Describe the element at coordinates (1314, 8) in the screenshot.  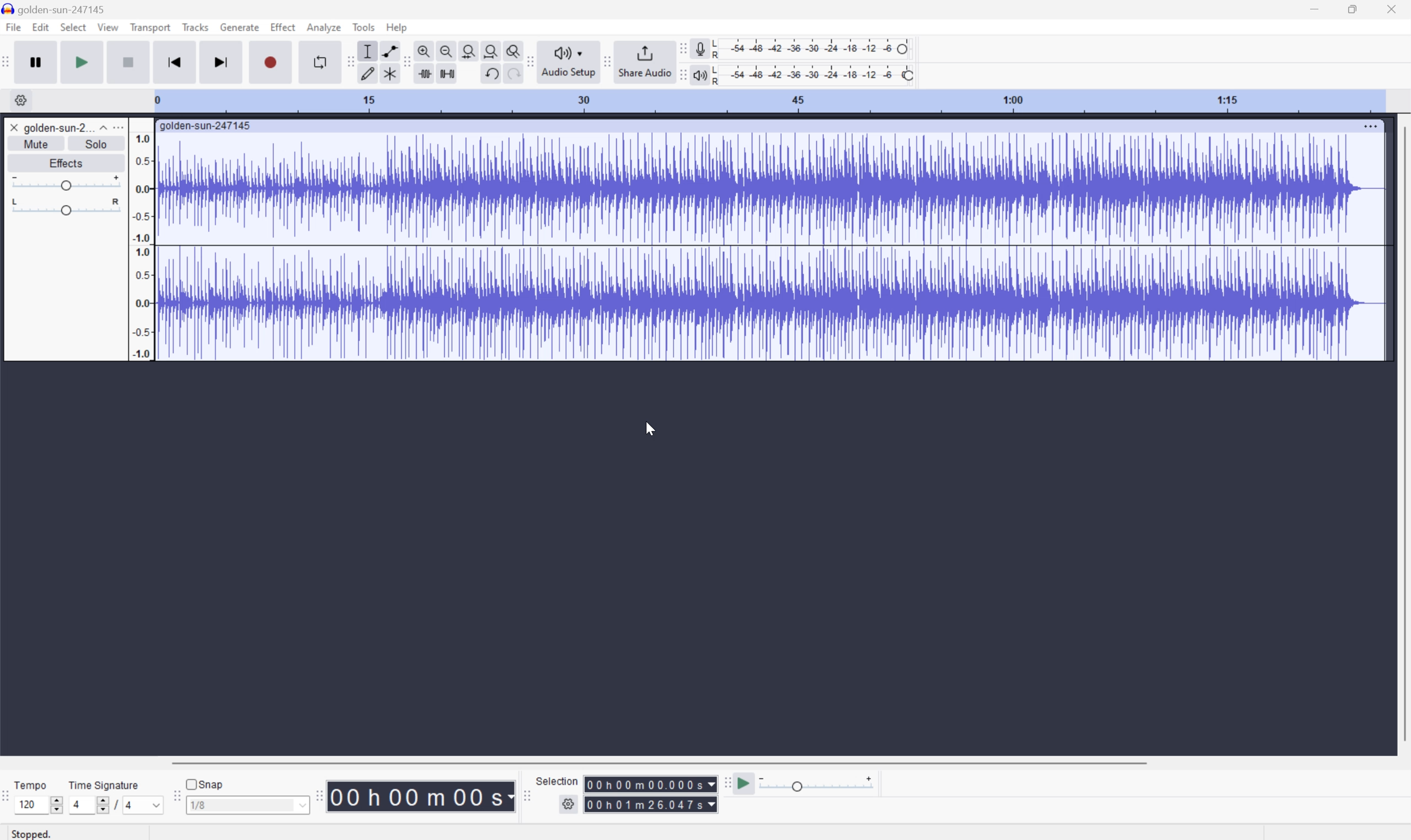
I see `Minimize` at that location.